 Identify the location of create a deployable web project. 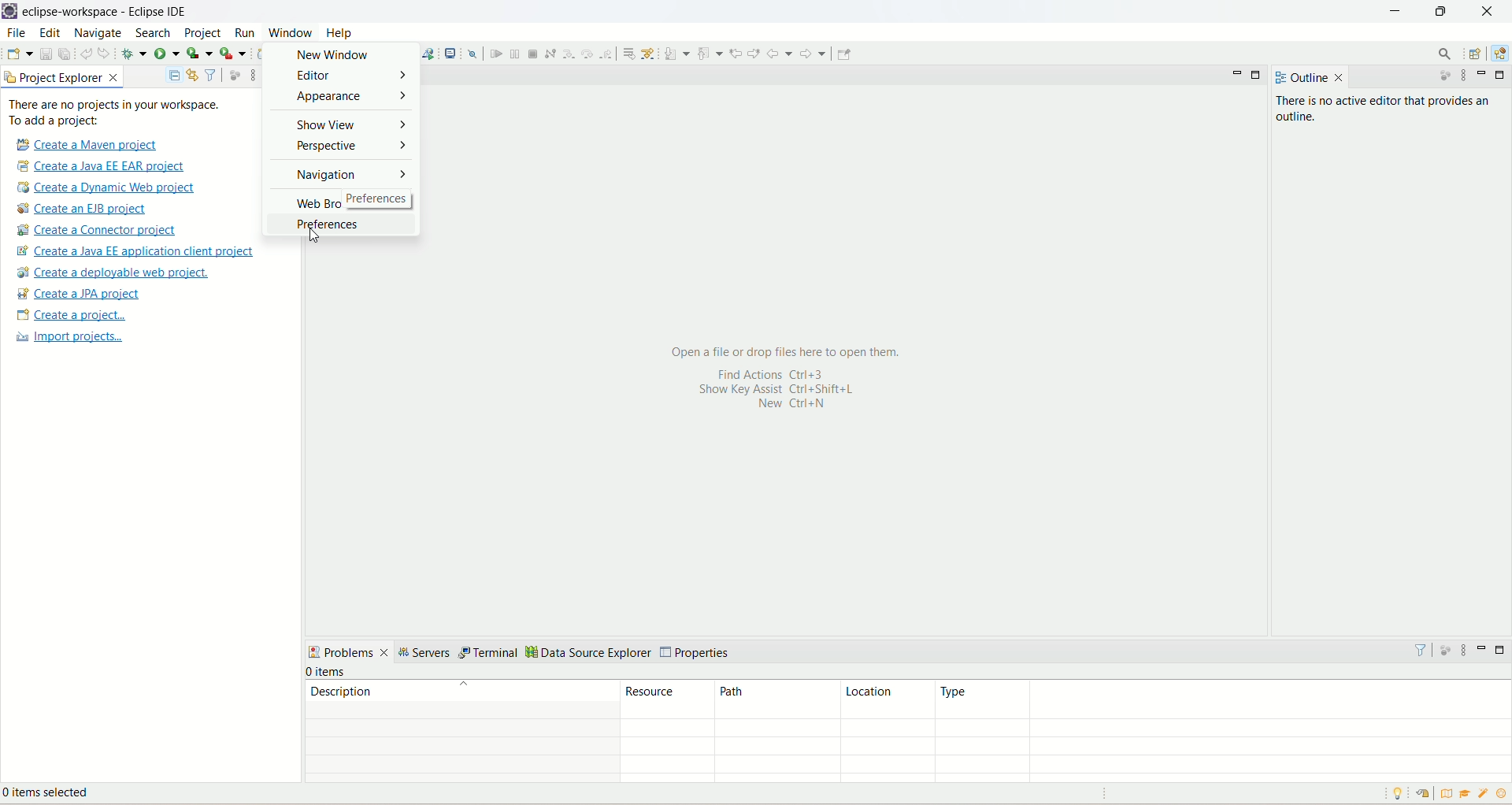
(114, 273).